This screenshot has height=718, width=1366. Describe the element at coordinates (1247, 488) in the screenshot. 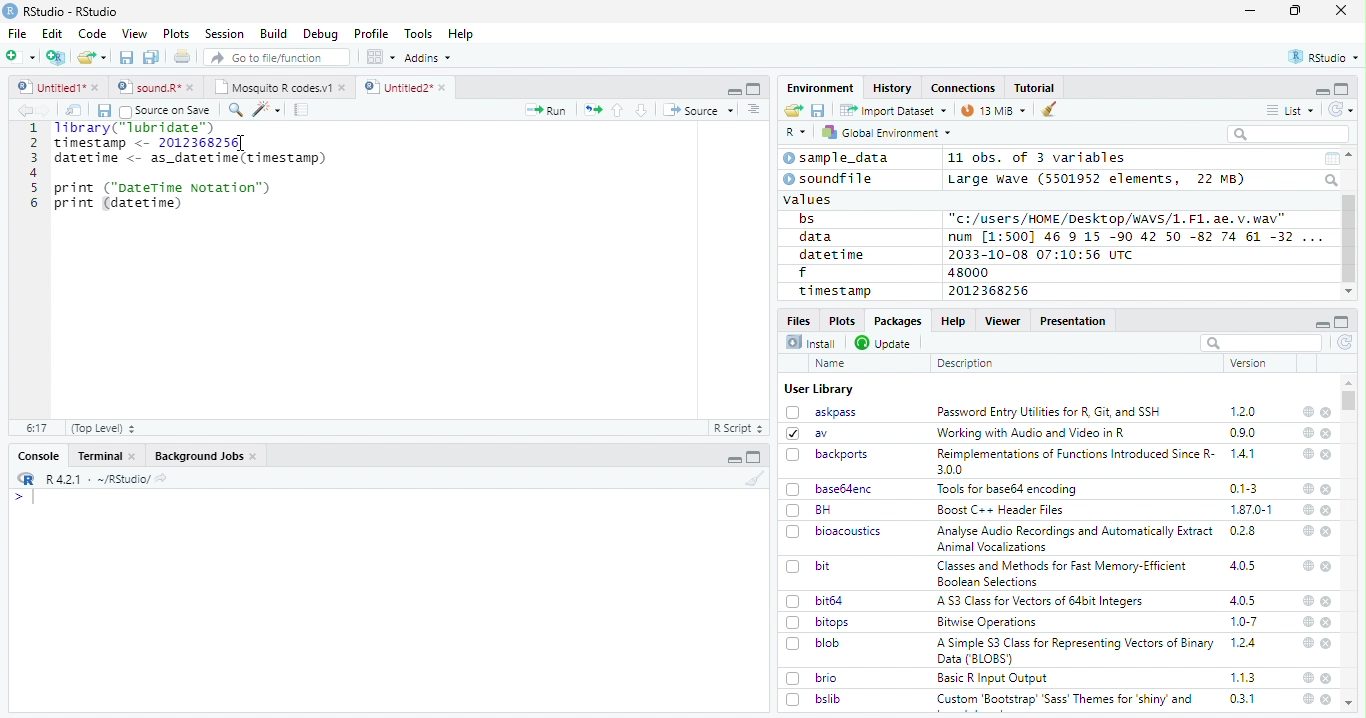

I see `0.1-3` at that location.